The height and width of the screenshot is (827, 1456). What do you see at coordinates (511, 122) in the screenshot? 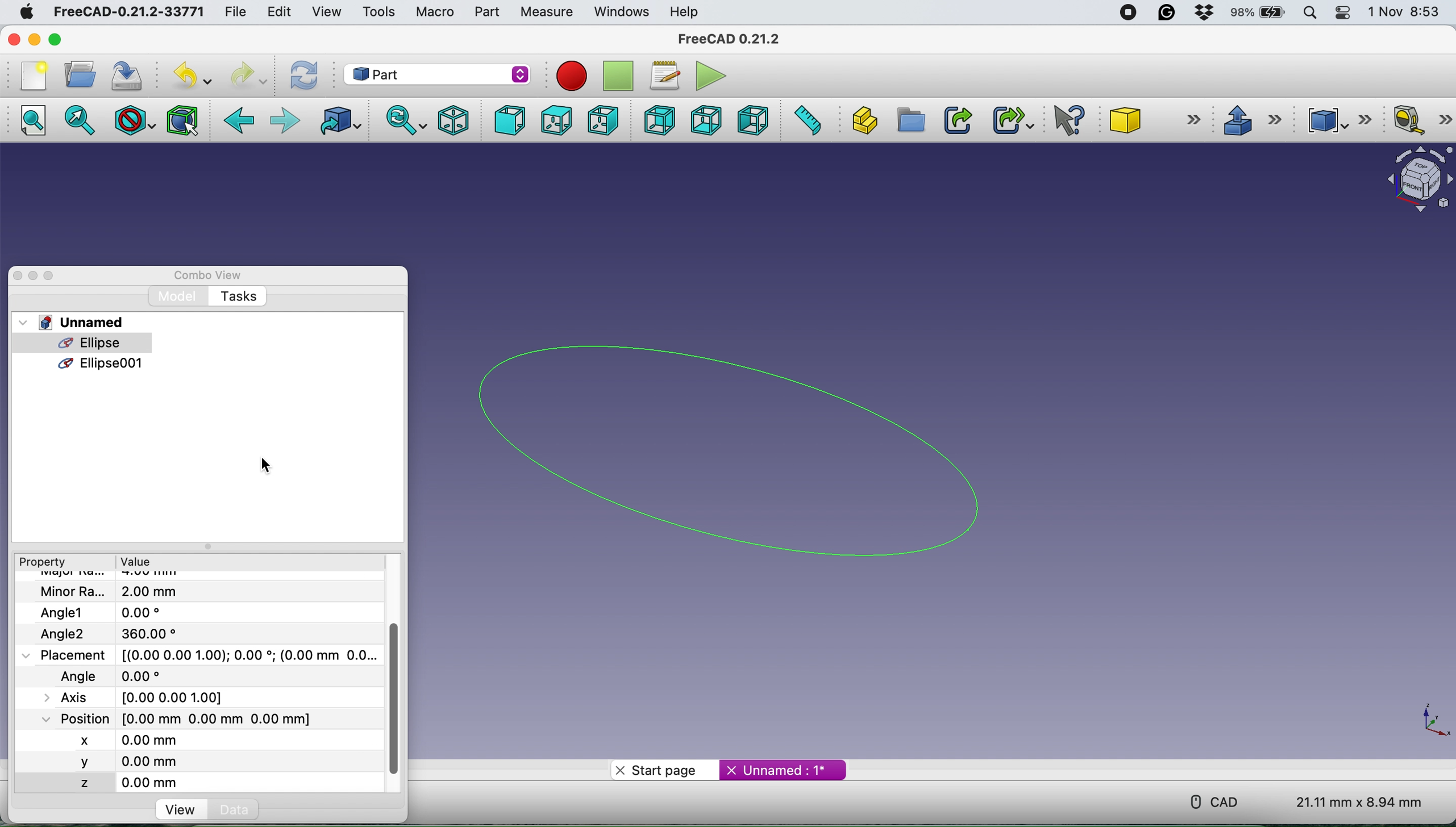
I see `front` at bounding box center [511, 122].